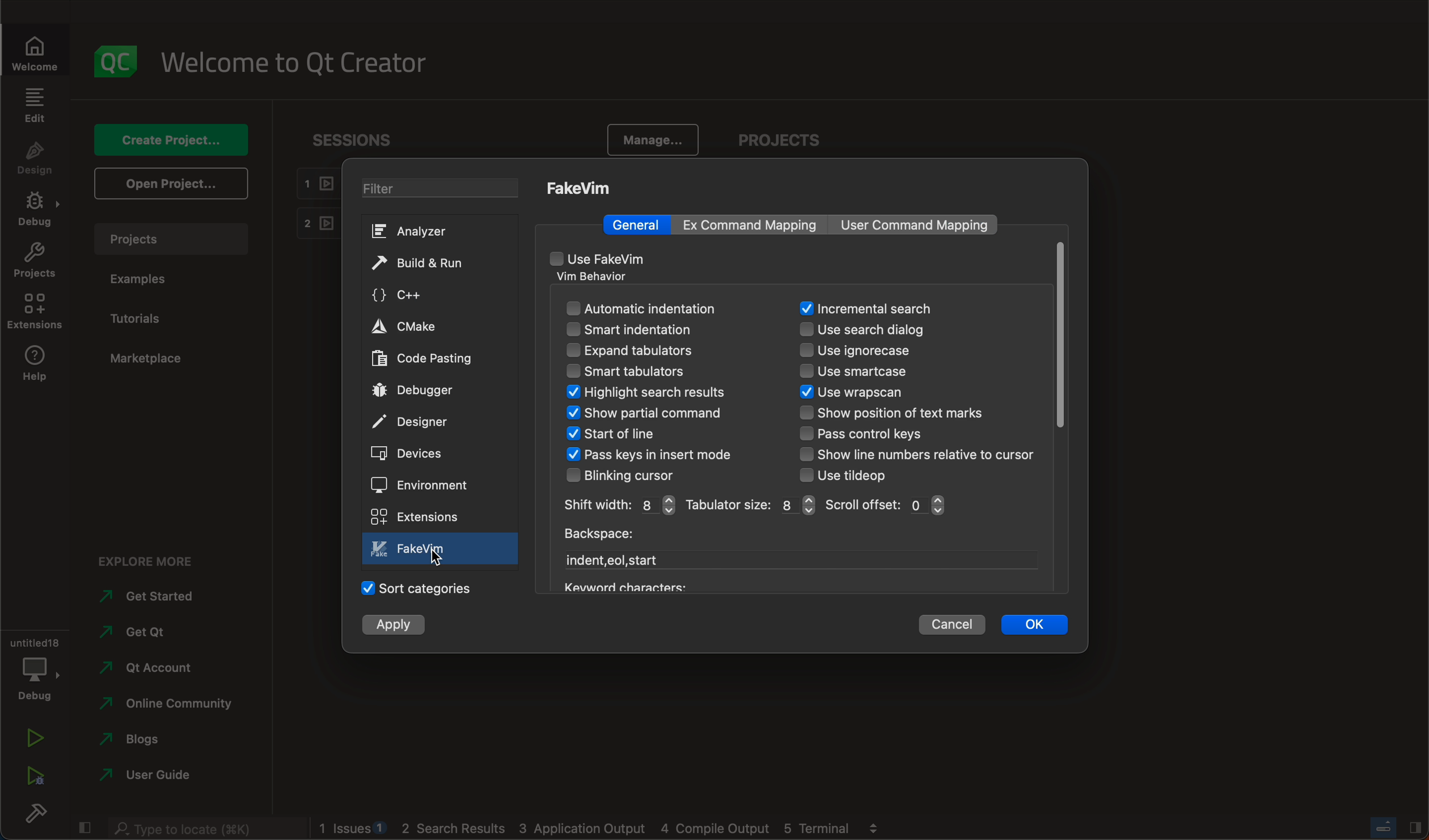  What do you see at coordinates (627, 371) in the screenshot?
I see `smart tabulators` at bounding box center [627, 371].